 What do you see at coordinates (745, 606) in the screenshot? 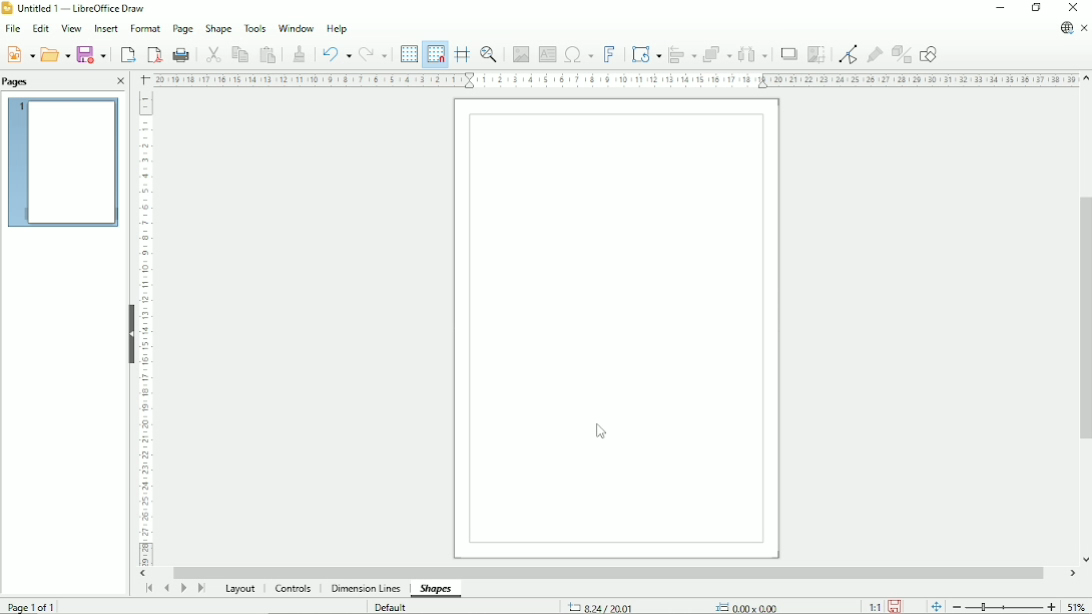
I see `0.00x0.00` at bounding box center [745, 606].